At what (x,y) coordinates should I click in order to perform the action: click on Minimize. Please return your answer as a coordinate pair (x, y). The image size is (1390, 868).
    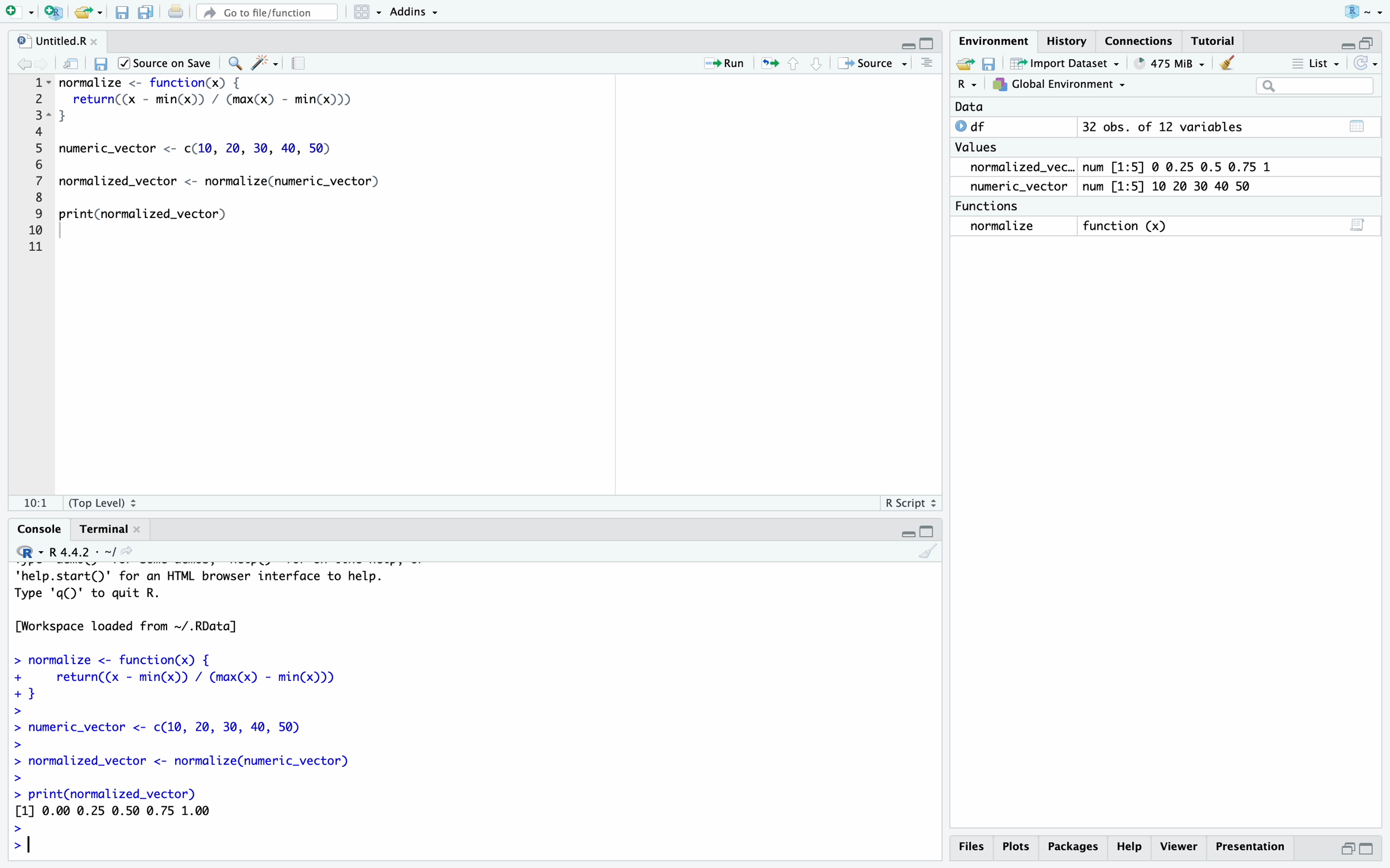
    Looking at the image, I should click on (905, 44).